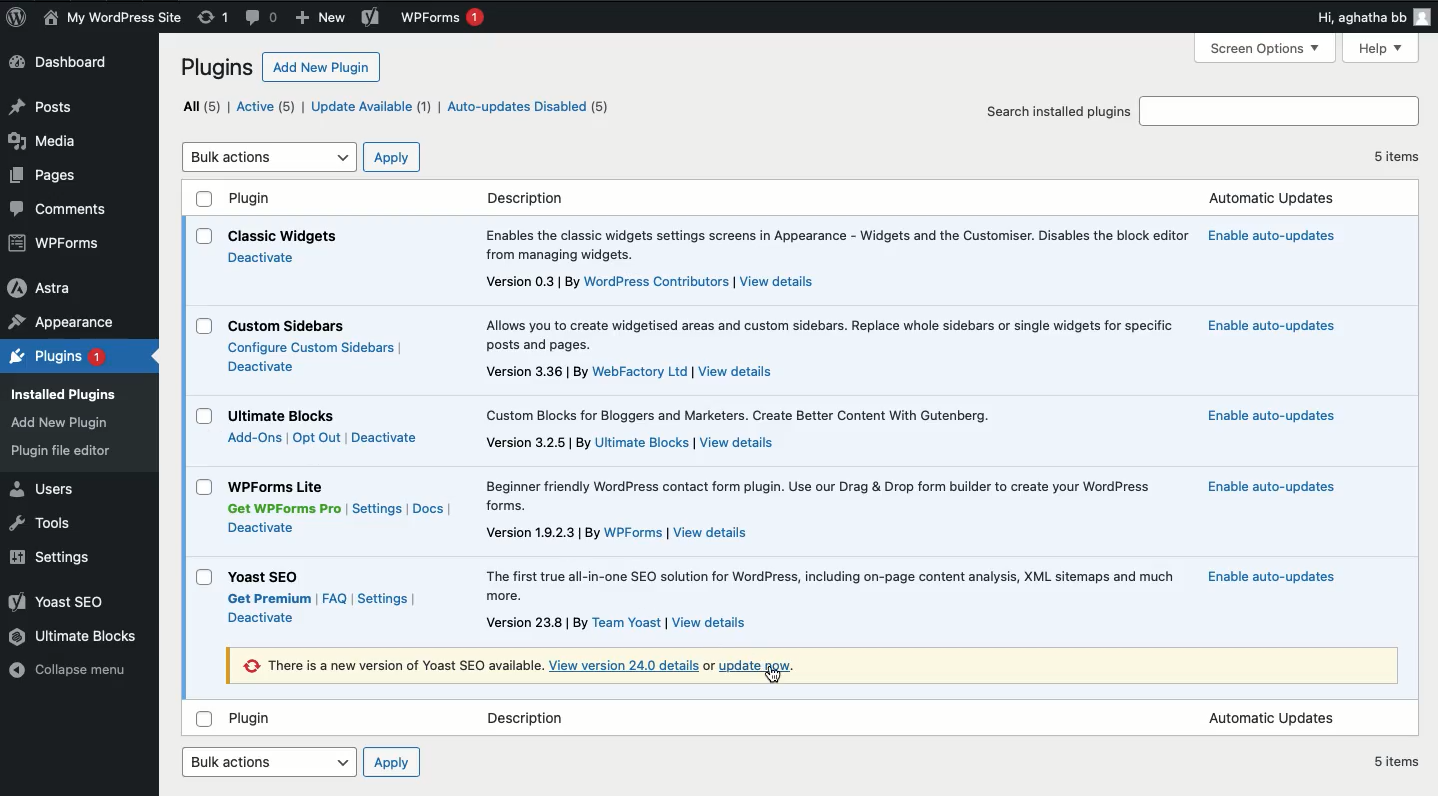  Describe the element at coordinates (57, 558) in the screenshot. I see `Settings` at that location.